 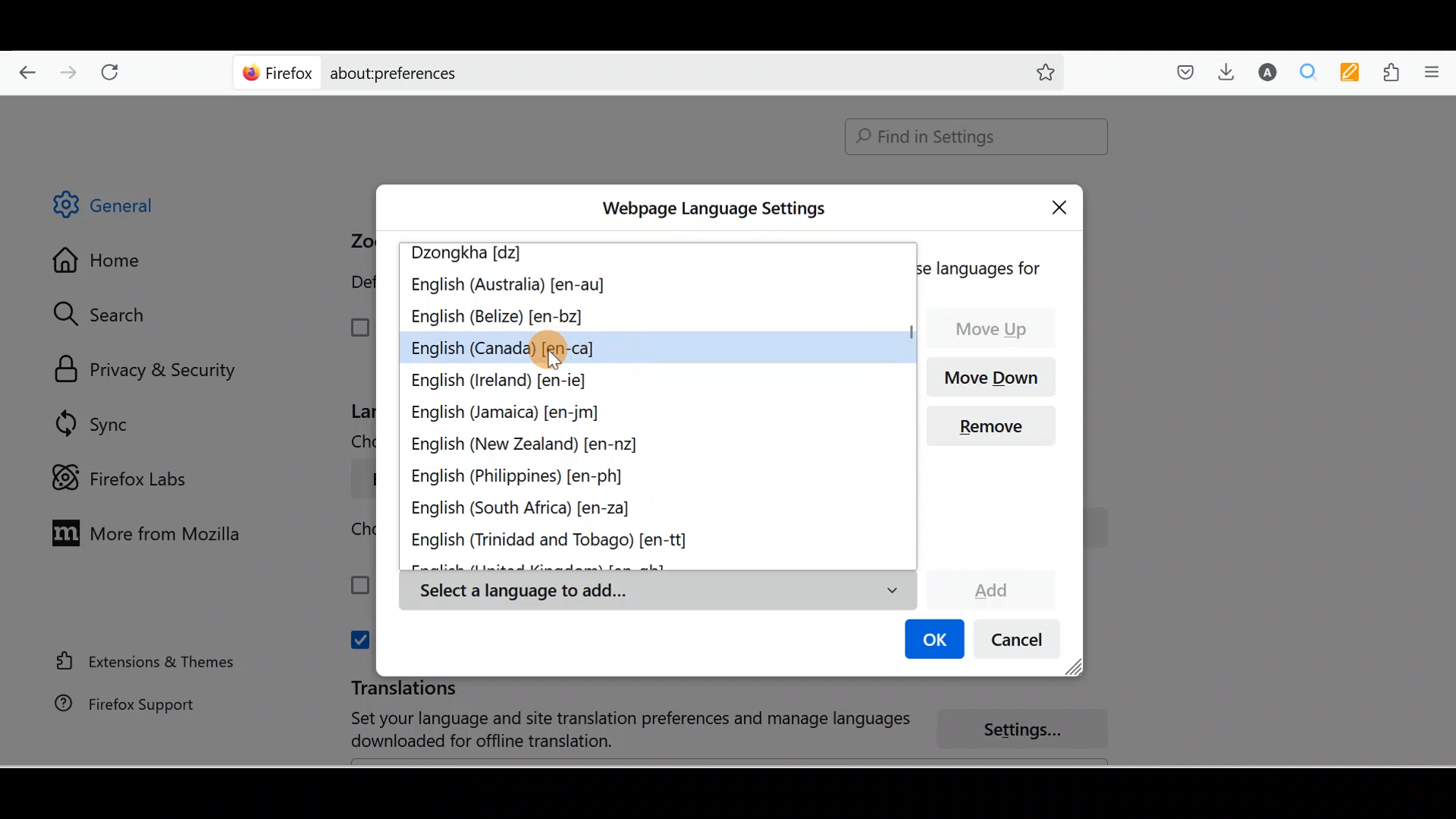 What do you see at coordinates (504, 347) in the screenshot?
I see `English (Canada) [en-ca]` at bounding box center [504, 347].